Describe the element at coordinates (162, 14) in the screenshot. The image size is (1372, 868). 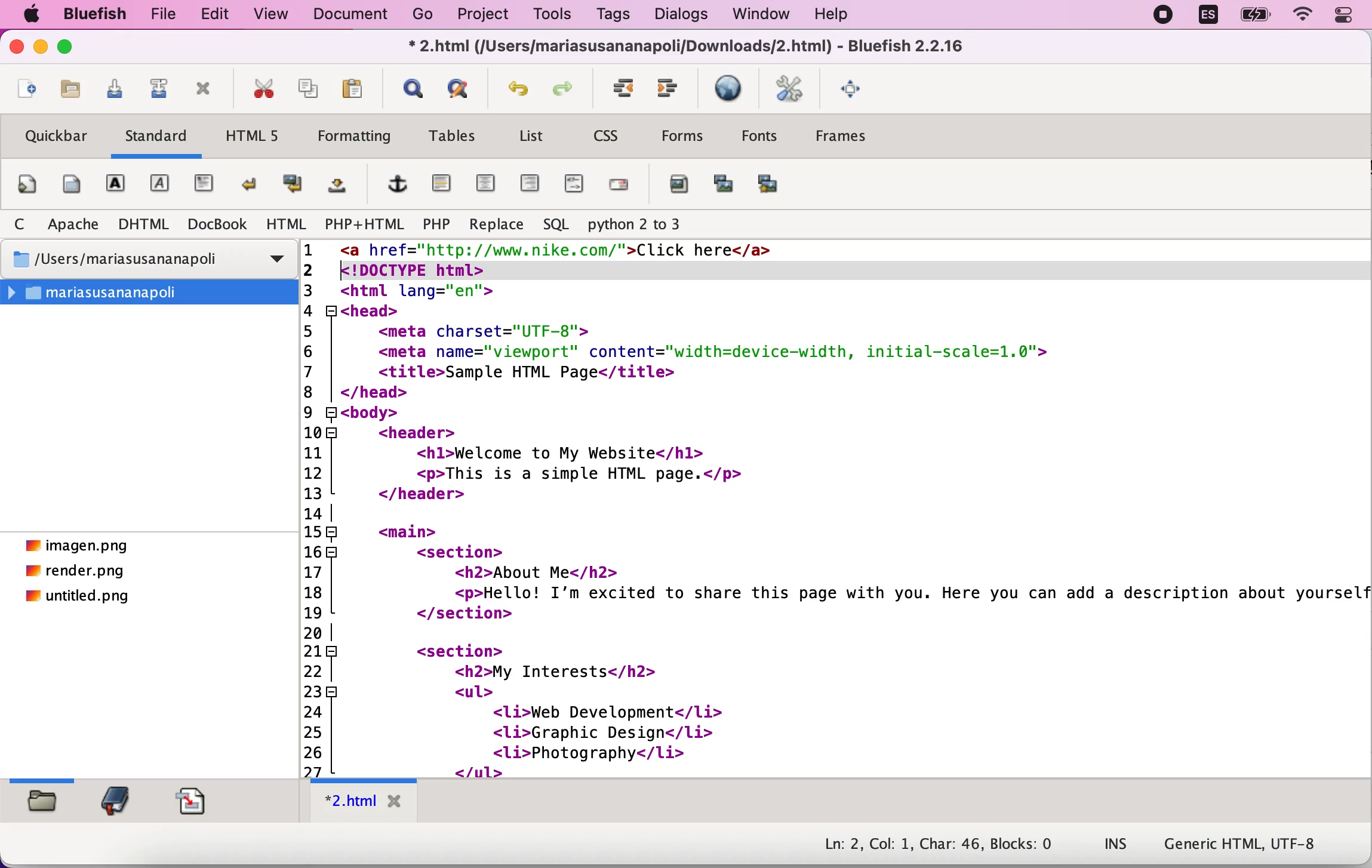
I see `file` at that location.